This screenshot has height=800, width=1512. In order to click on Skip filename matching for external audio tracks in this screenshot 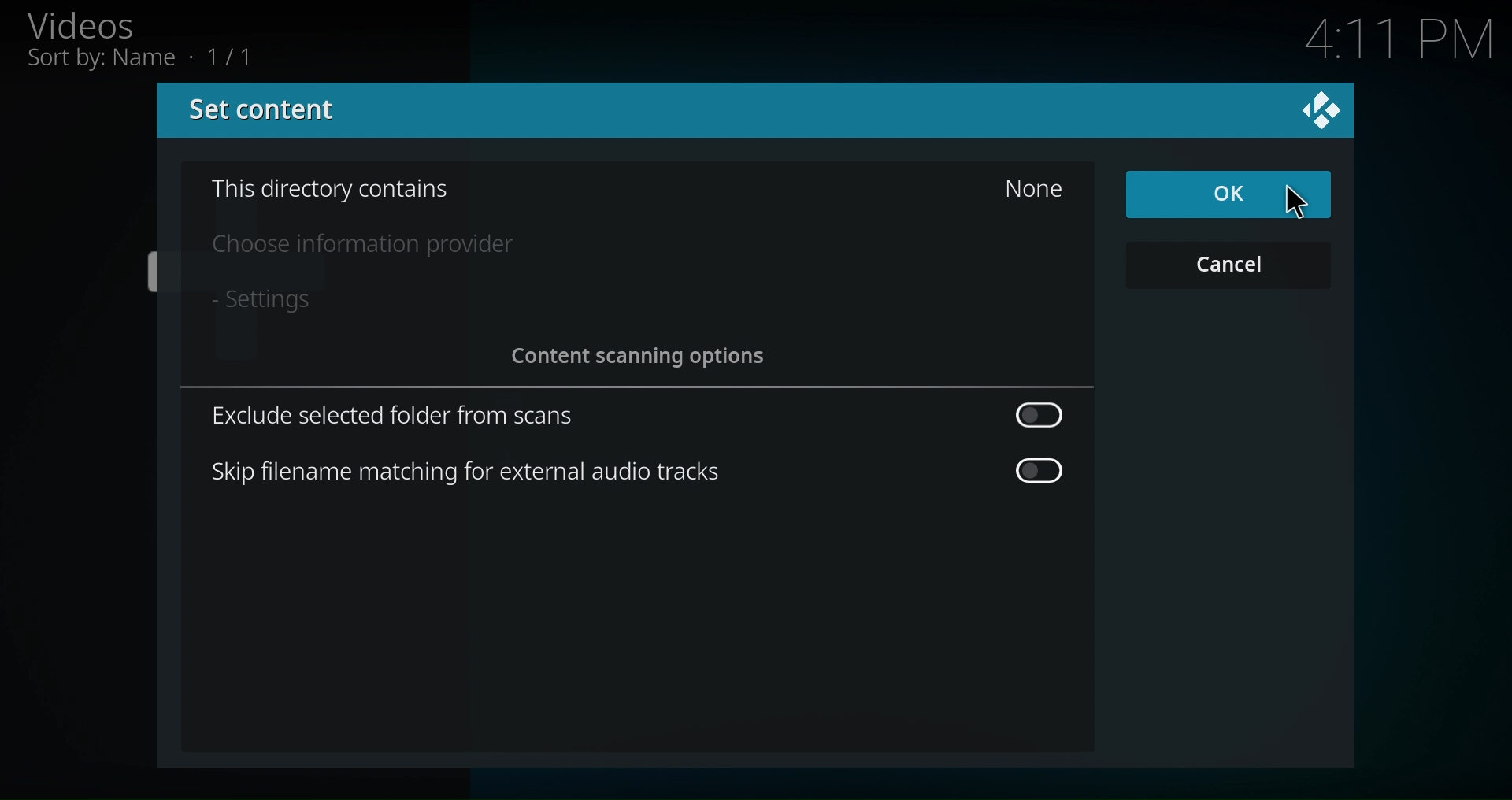, I will do `click(458, 469)`.